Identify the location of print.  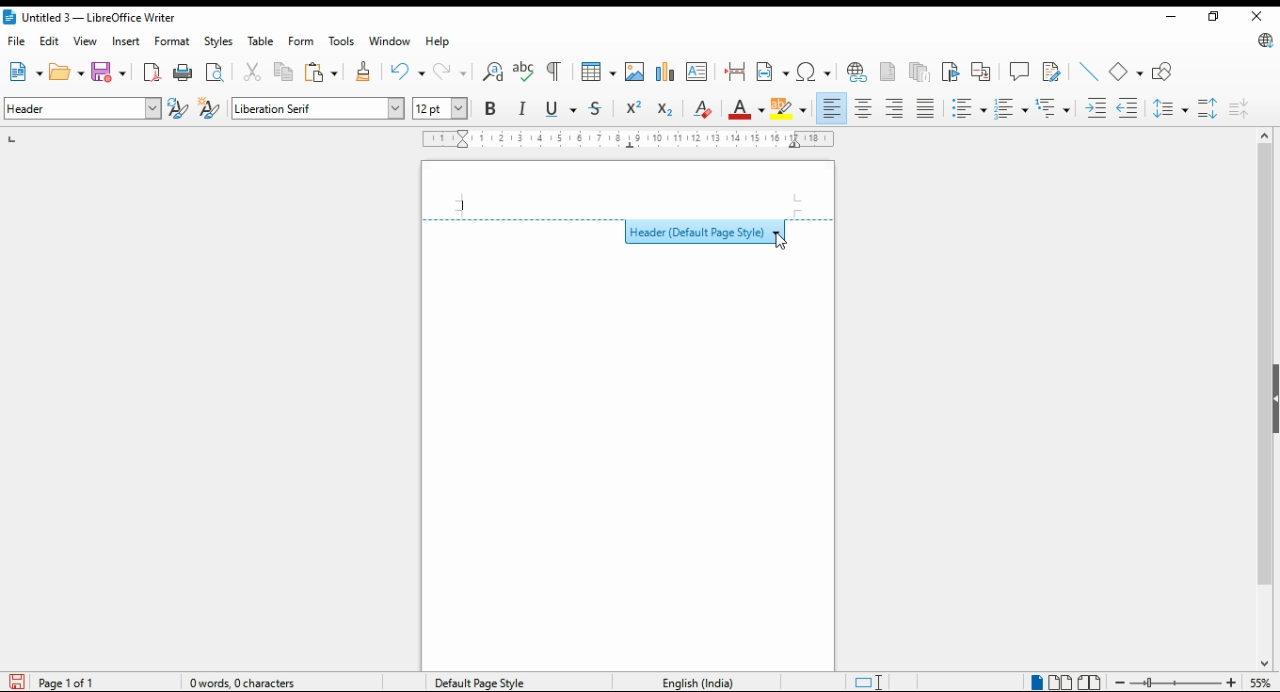
(184, 72).